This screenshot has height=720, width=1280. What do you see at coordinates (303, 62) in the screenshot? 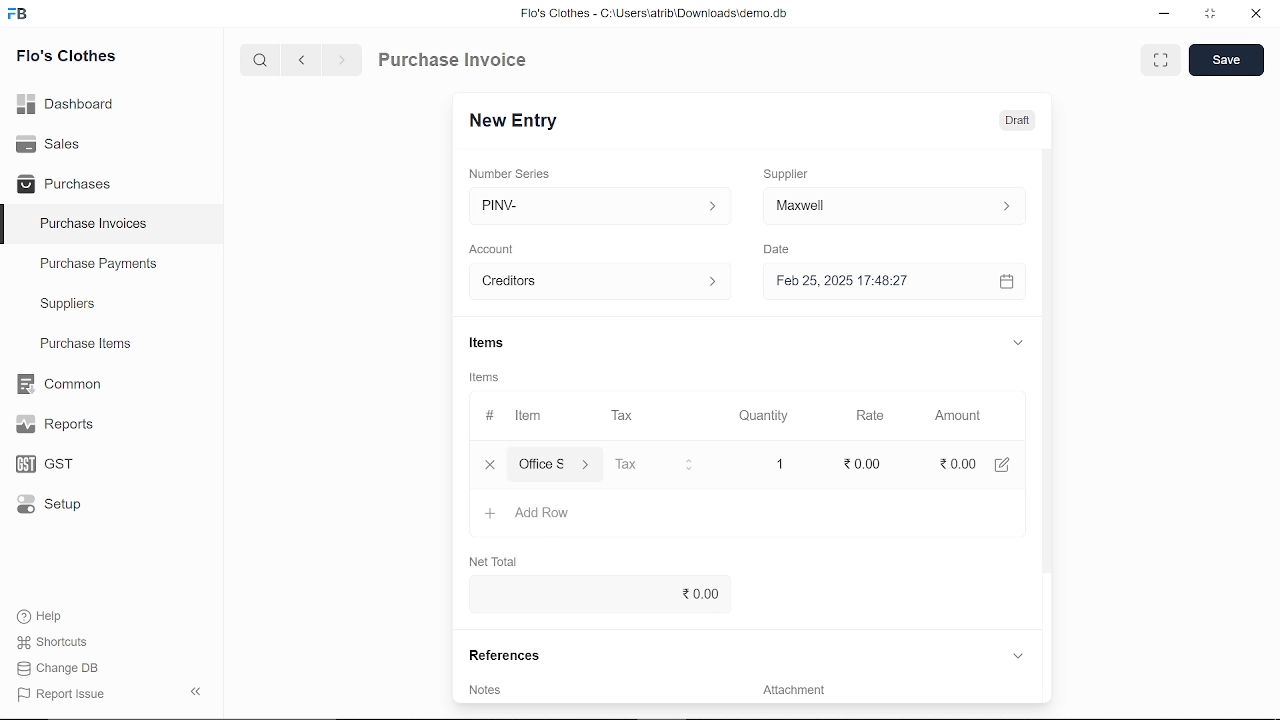
I see `previous` at bounding box center [303, 62].